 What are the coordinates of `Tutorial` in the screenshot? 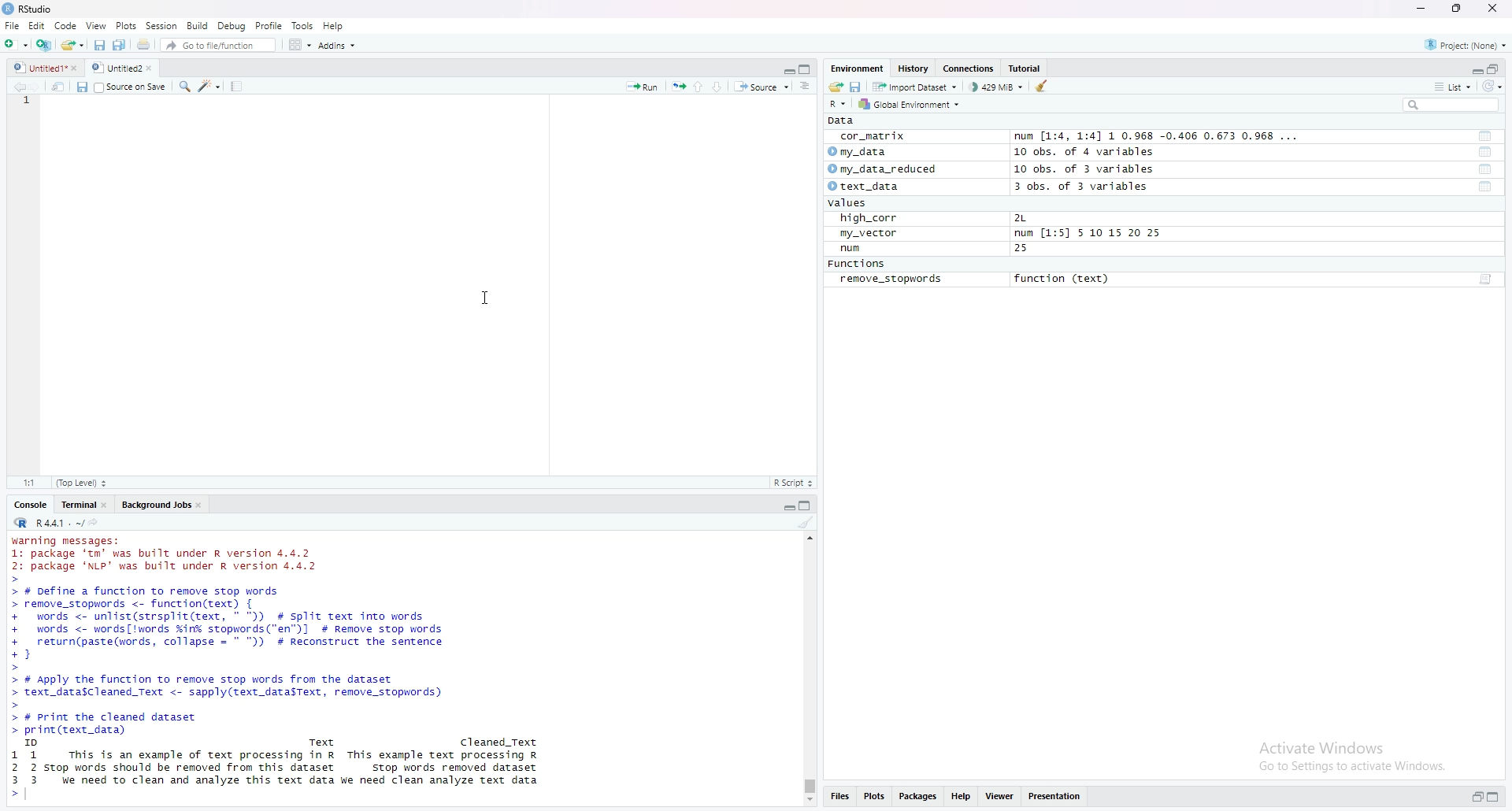 It's located at (1025, 69).